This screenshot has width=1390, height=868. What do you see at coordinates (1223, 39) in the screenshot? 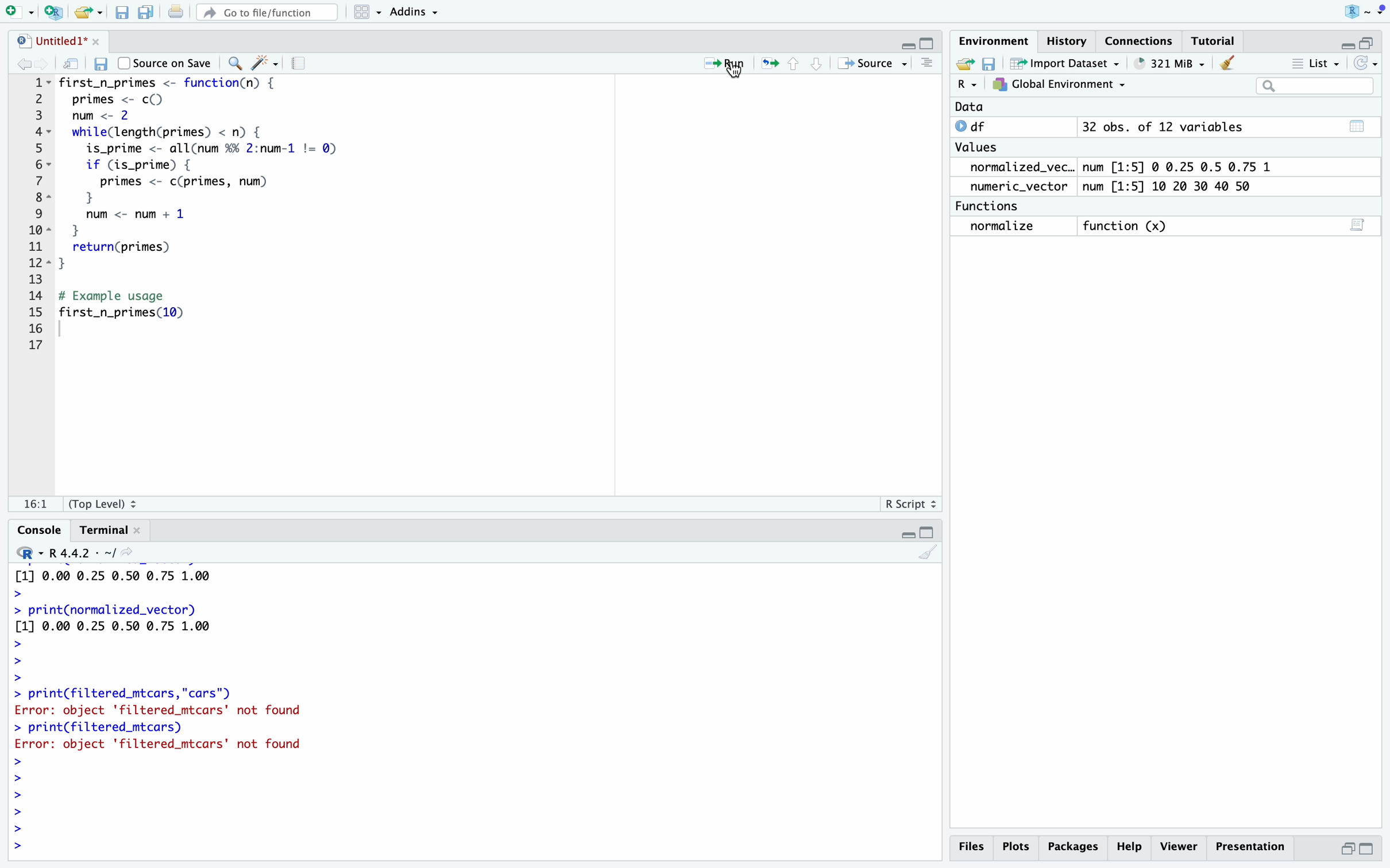
I see `Tutorial` at bounding box center [1223, 39].